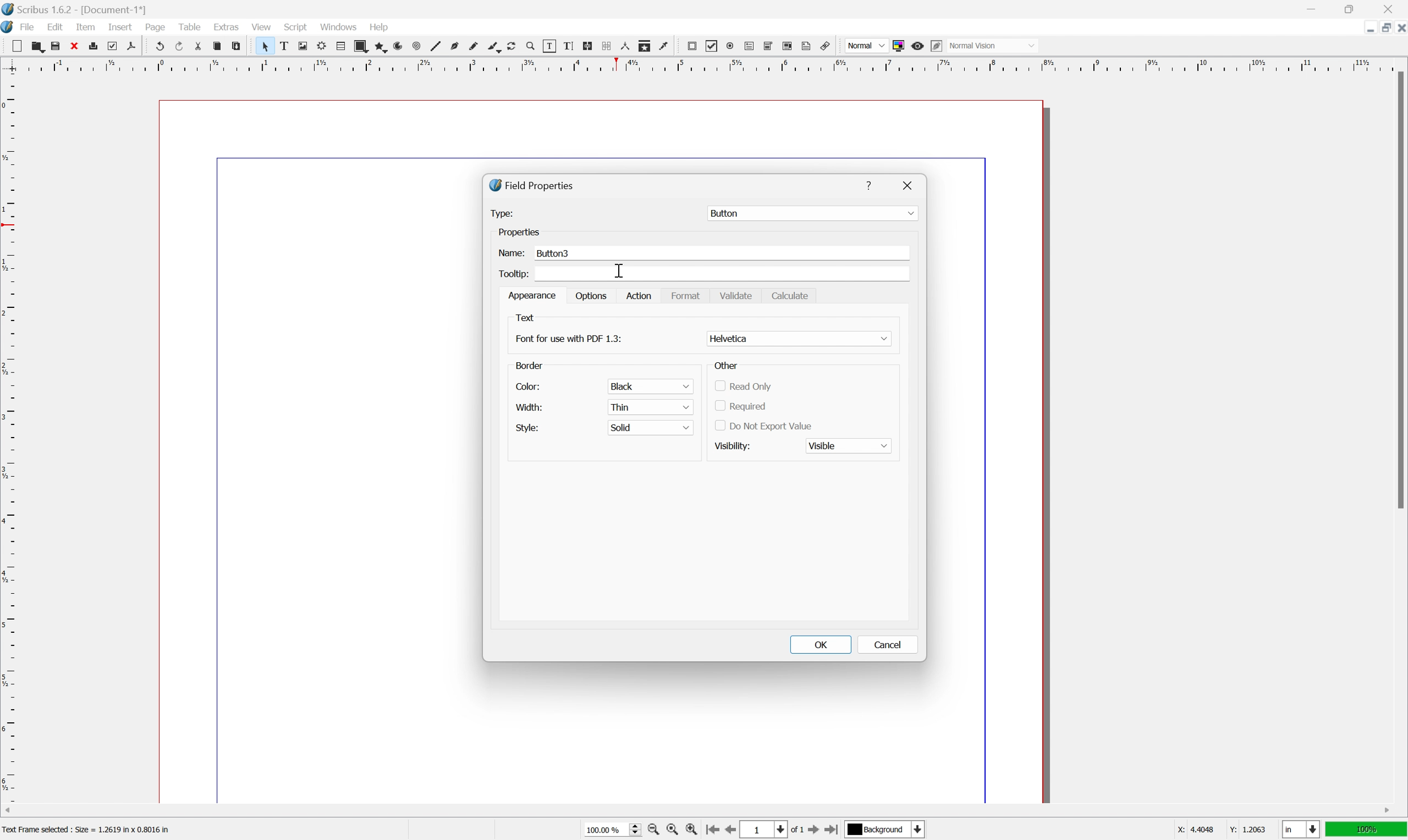  Describe the element at coordinates (650, 428) in the screenshot. I see `solid` at that location.